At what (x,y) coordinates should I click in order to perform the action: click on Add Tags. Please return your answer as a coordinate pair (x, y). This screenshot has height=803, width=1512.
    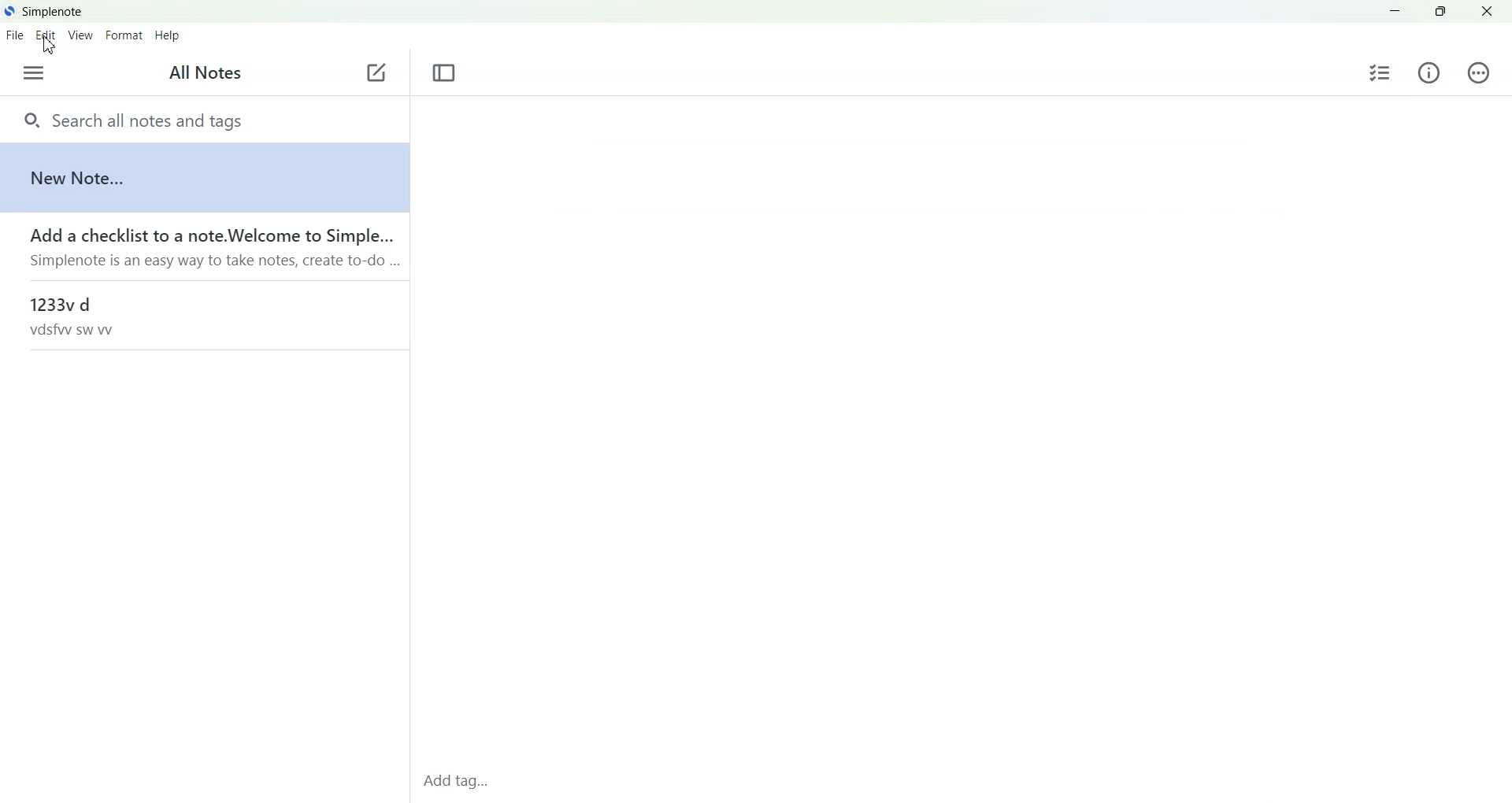
    Looking at the image, I should click on (461, 782).